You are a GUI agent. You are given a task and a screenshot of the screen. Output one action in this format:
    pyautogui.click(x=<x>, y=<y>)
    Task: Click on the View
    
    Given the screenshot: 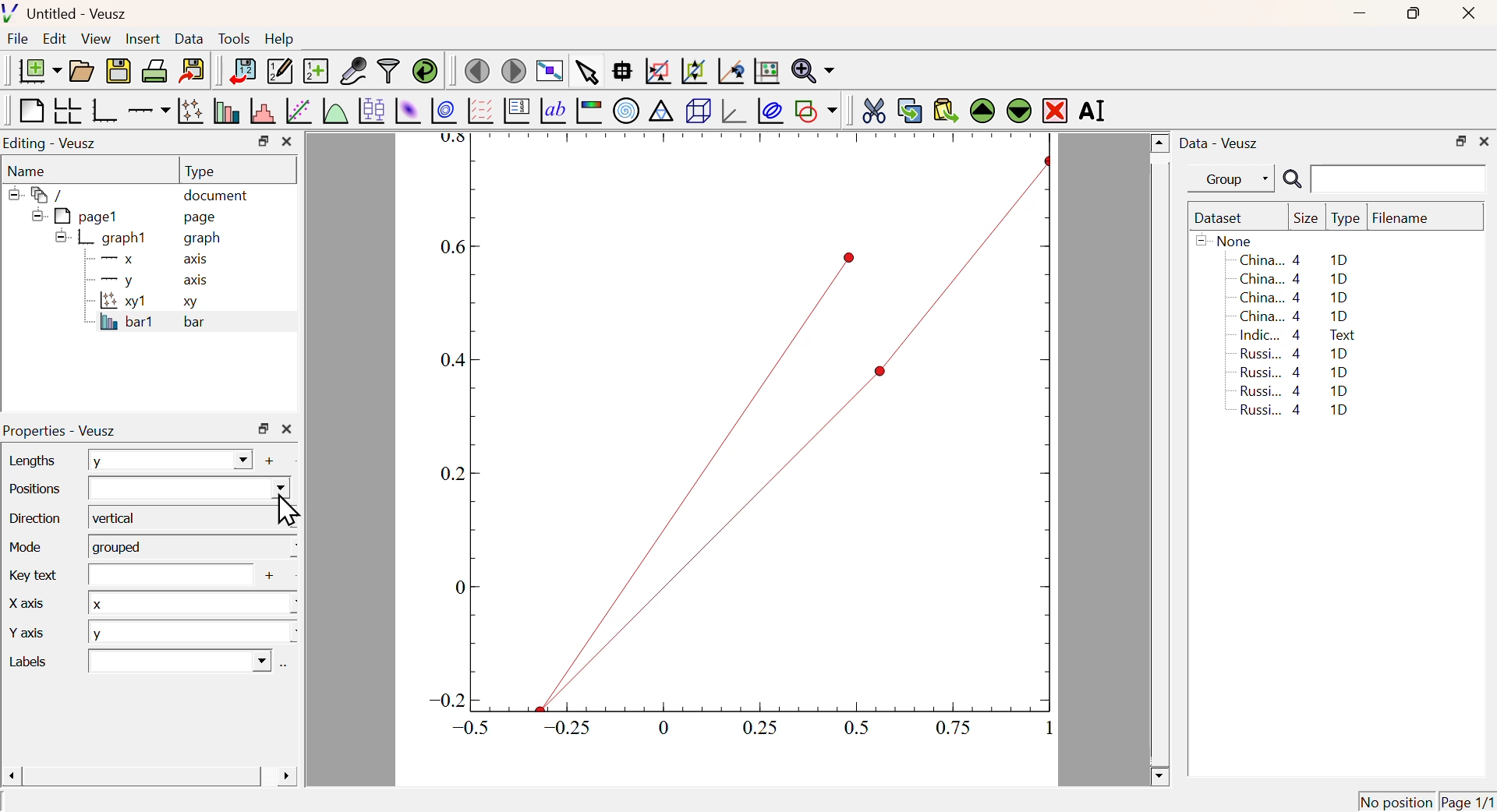 What is the action you would take?
    pyautogui.click(x=95, y=40)
    